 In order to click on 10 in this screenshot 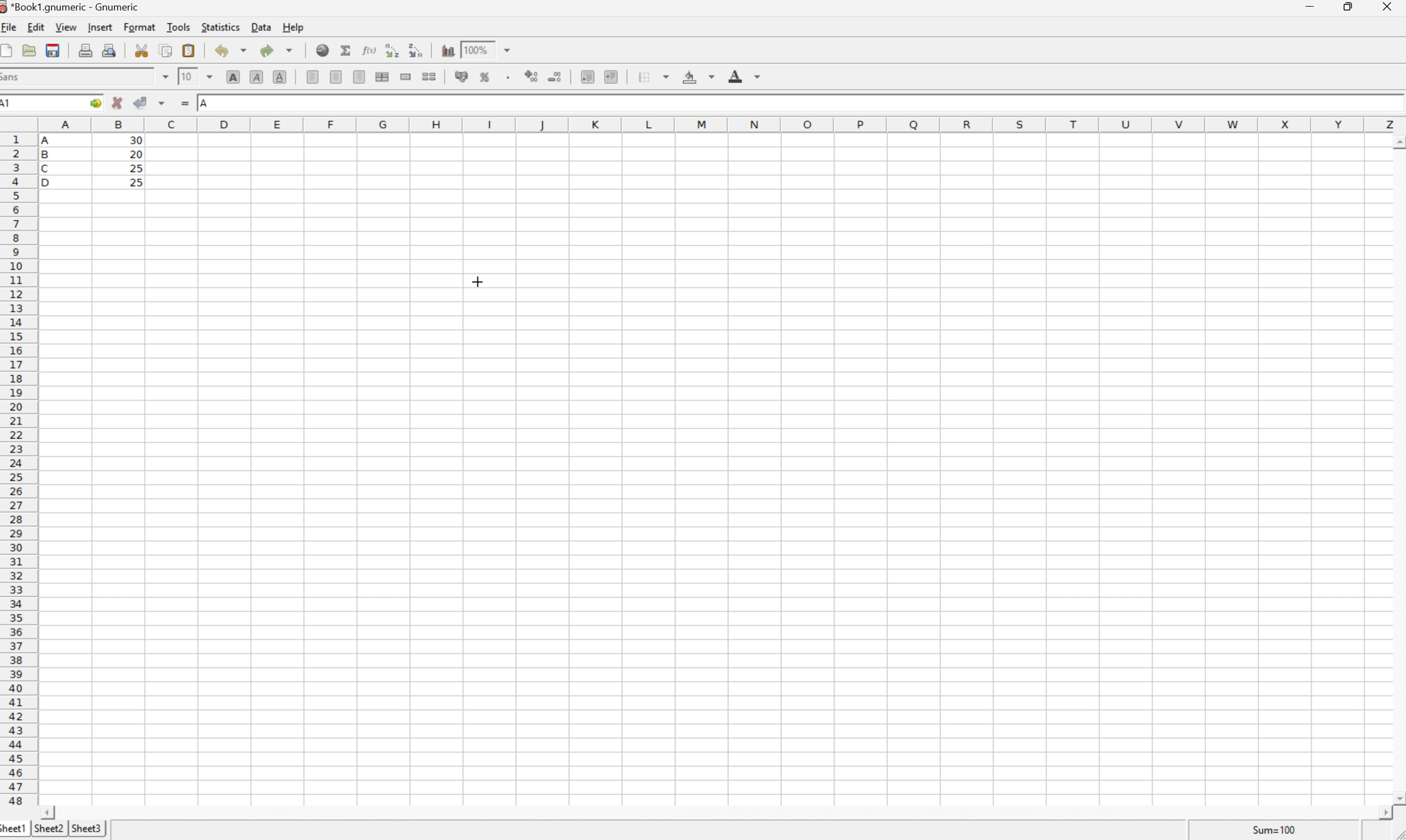, I will do `click(187, 76)`.